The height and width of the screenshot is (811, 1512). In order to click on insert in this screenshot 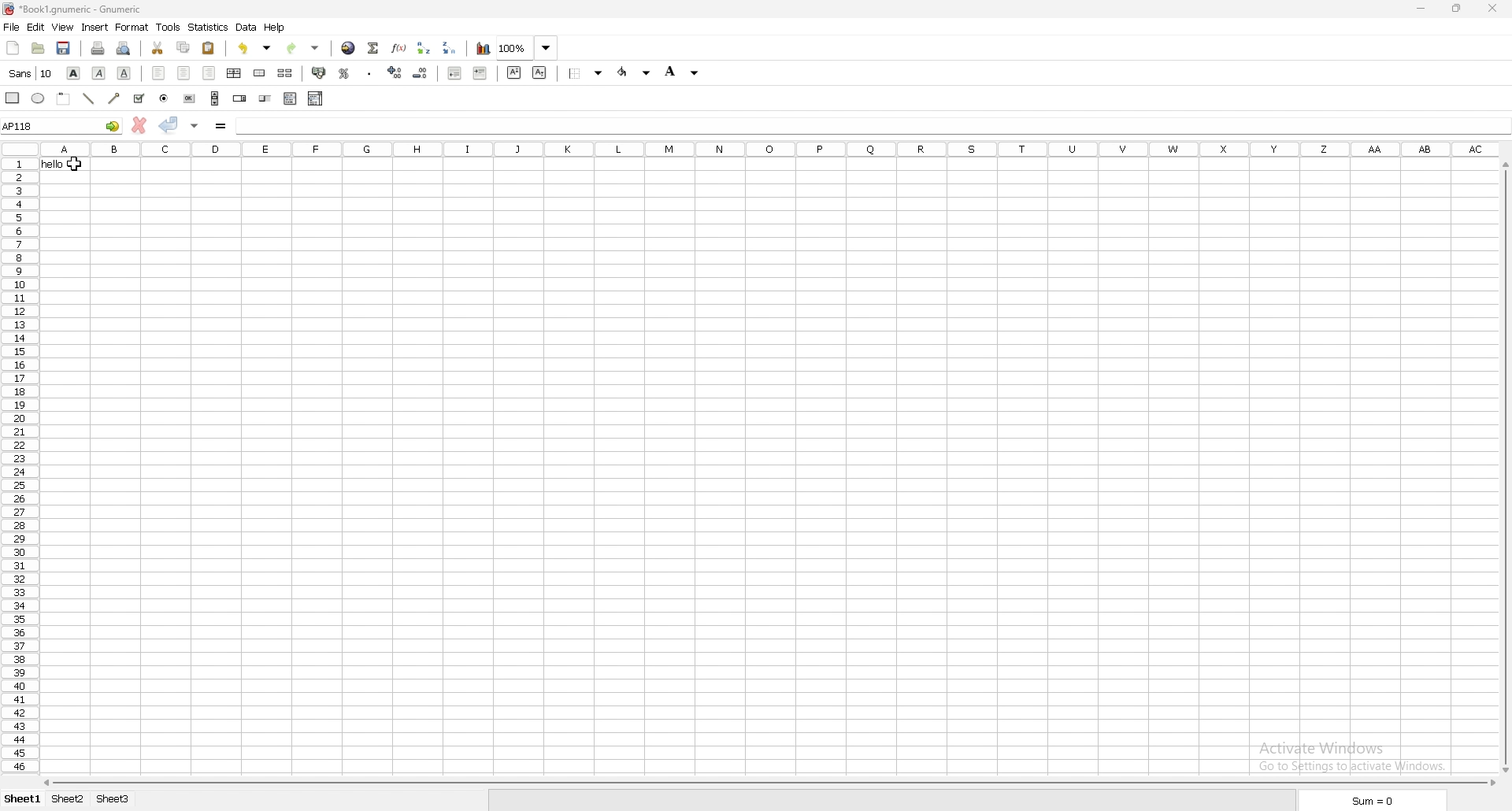, I will do `click(96, 27)`.